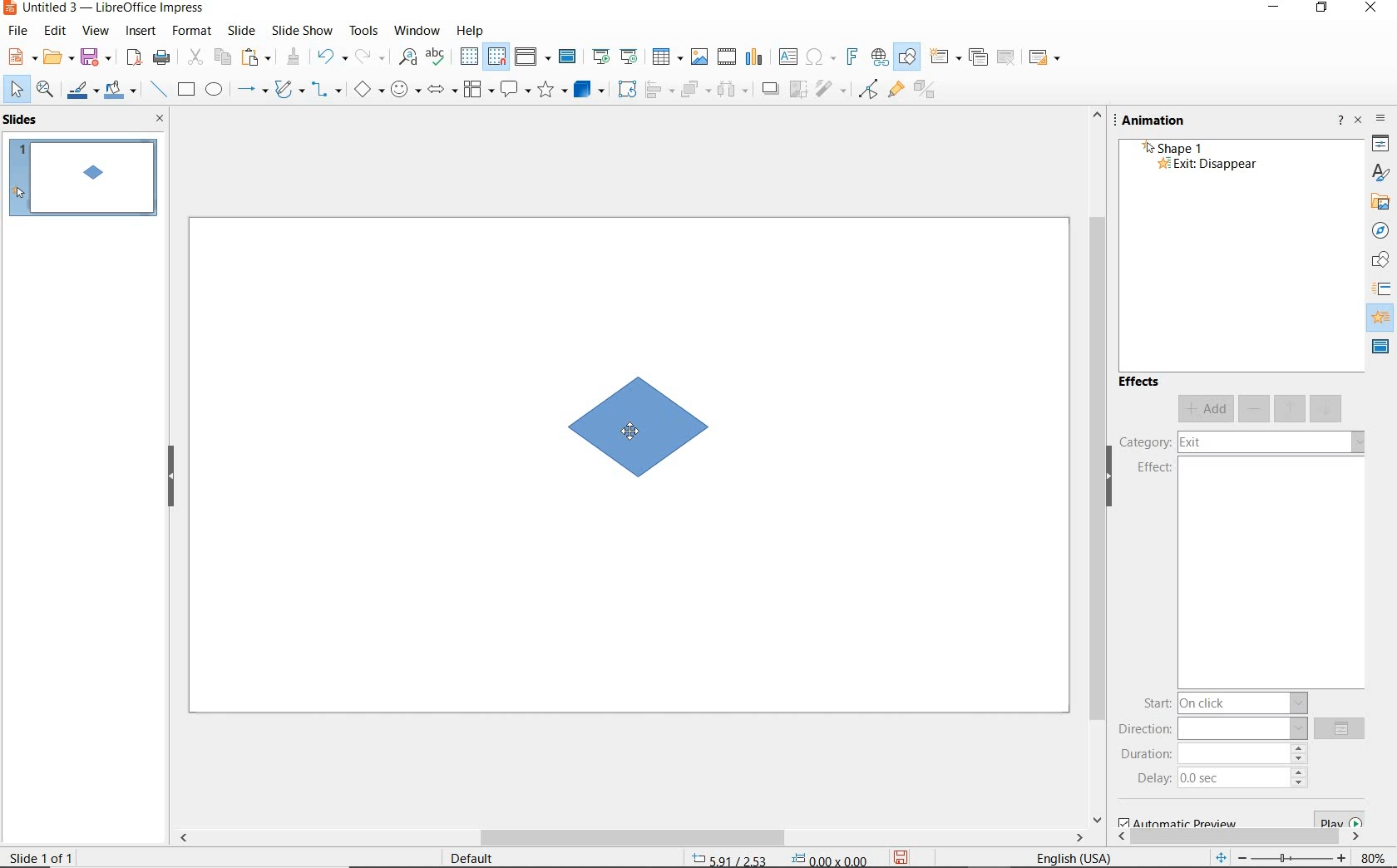 The height and width of the screenshot is (868, 1397). What do you see at coordinates (81, 92) in the screenshot?
I see `line color` at bounding box center [81, 92].